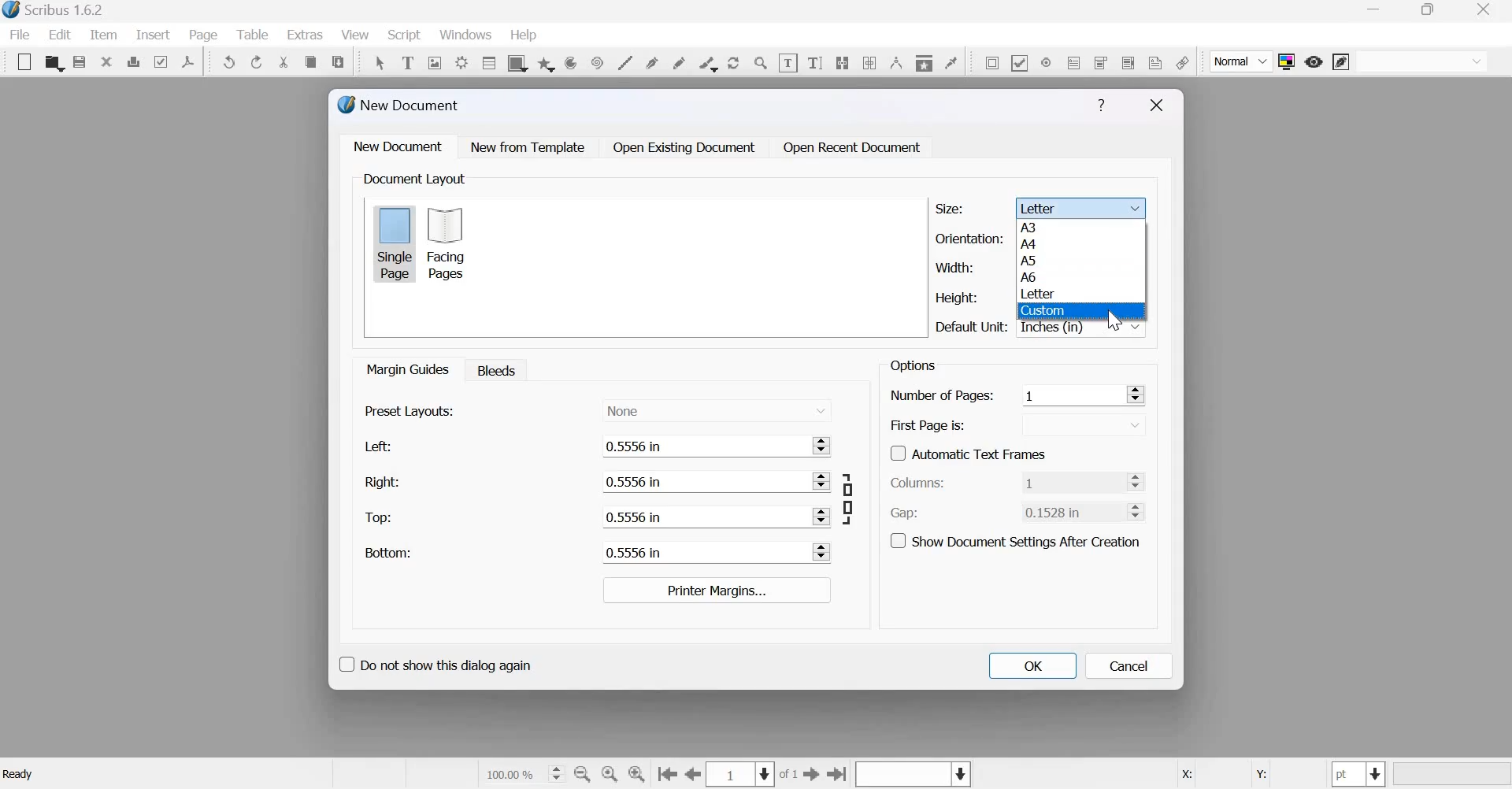 This screenshot has width=1512, height=789. I want to click on edit in preview mode, so click(1341, 63).